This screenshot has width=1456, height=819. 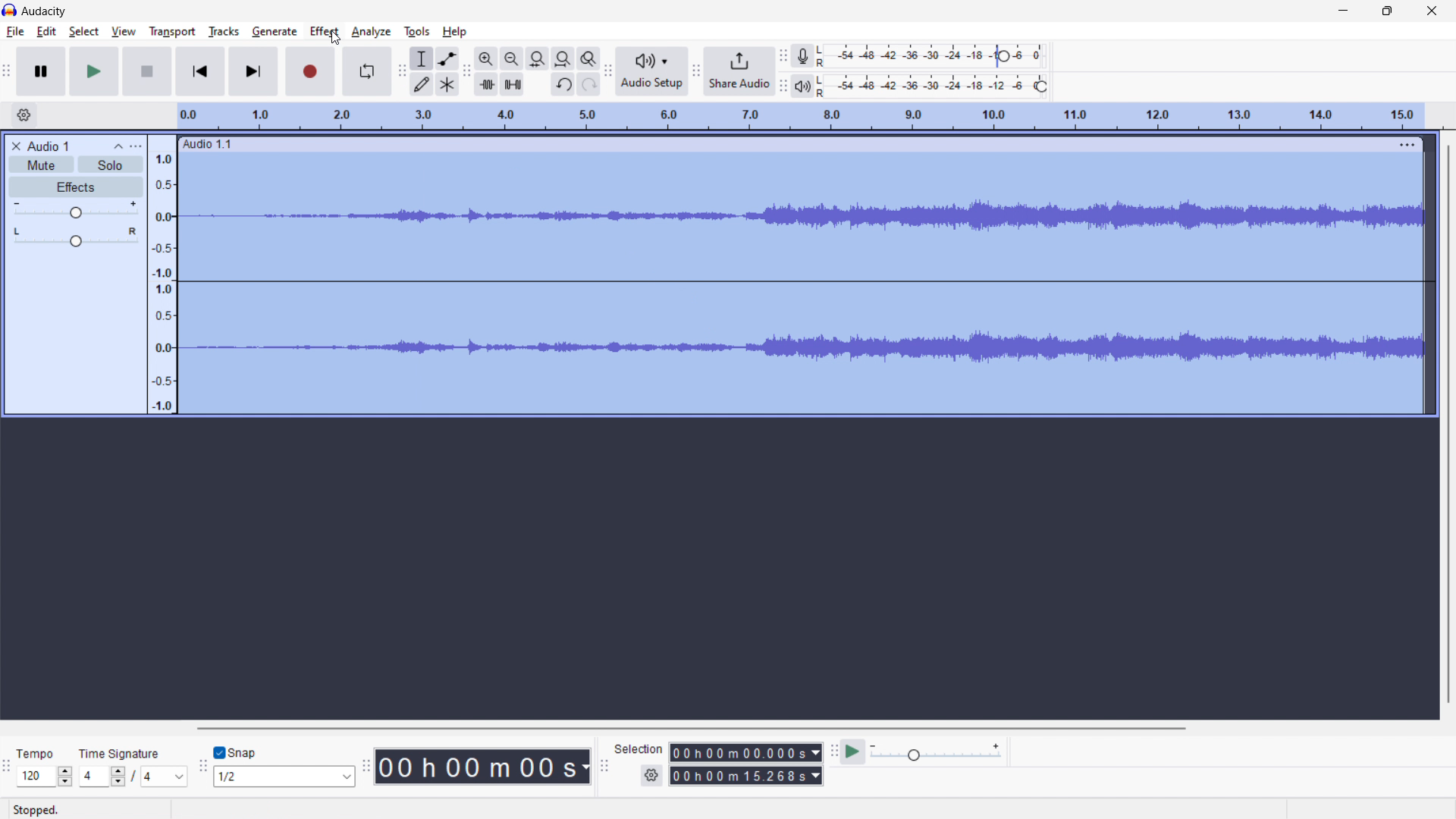 I want to click on draw tool, so click(x=422, y=83).